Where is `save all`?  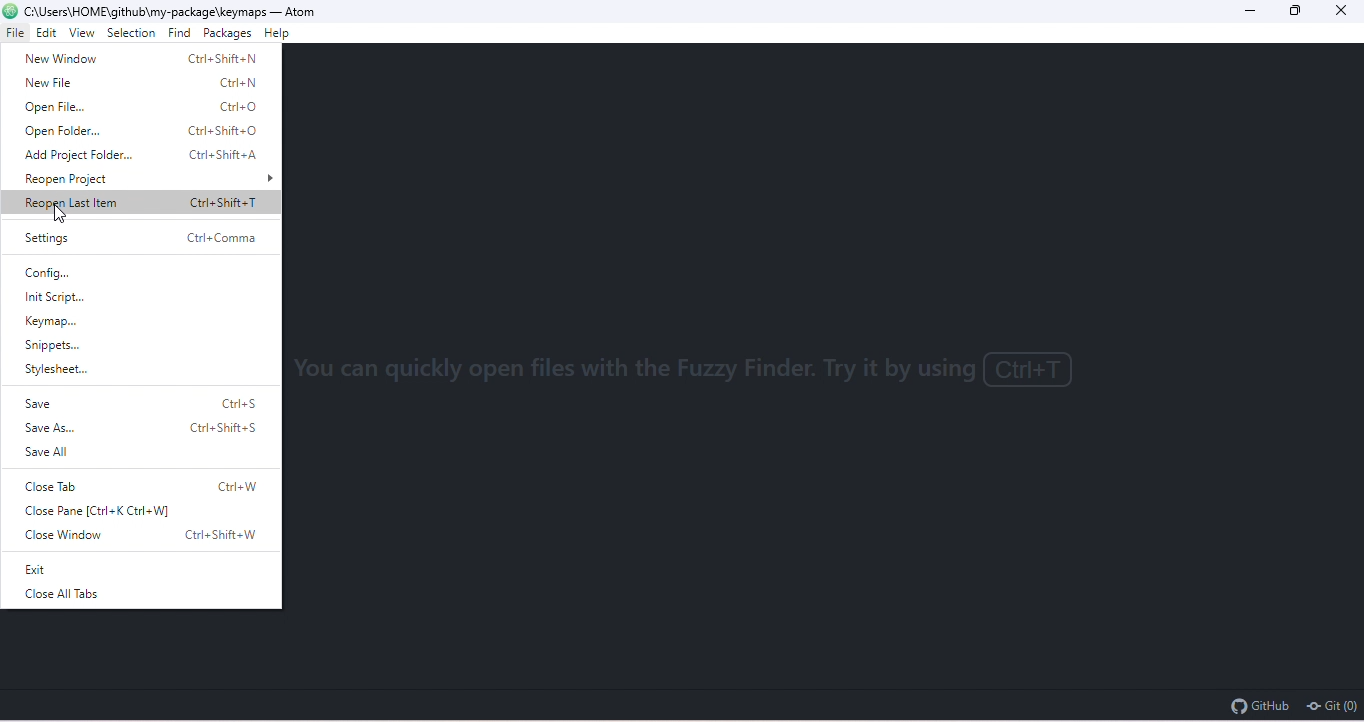
save all is located at coordinates (97, 456).